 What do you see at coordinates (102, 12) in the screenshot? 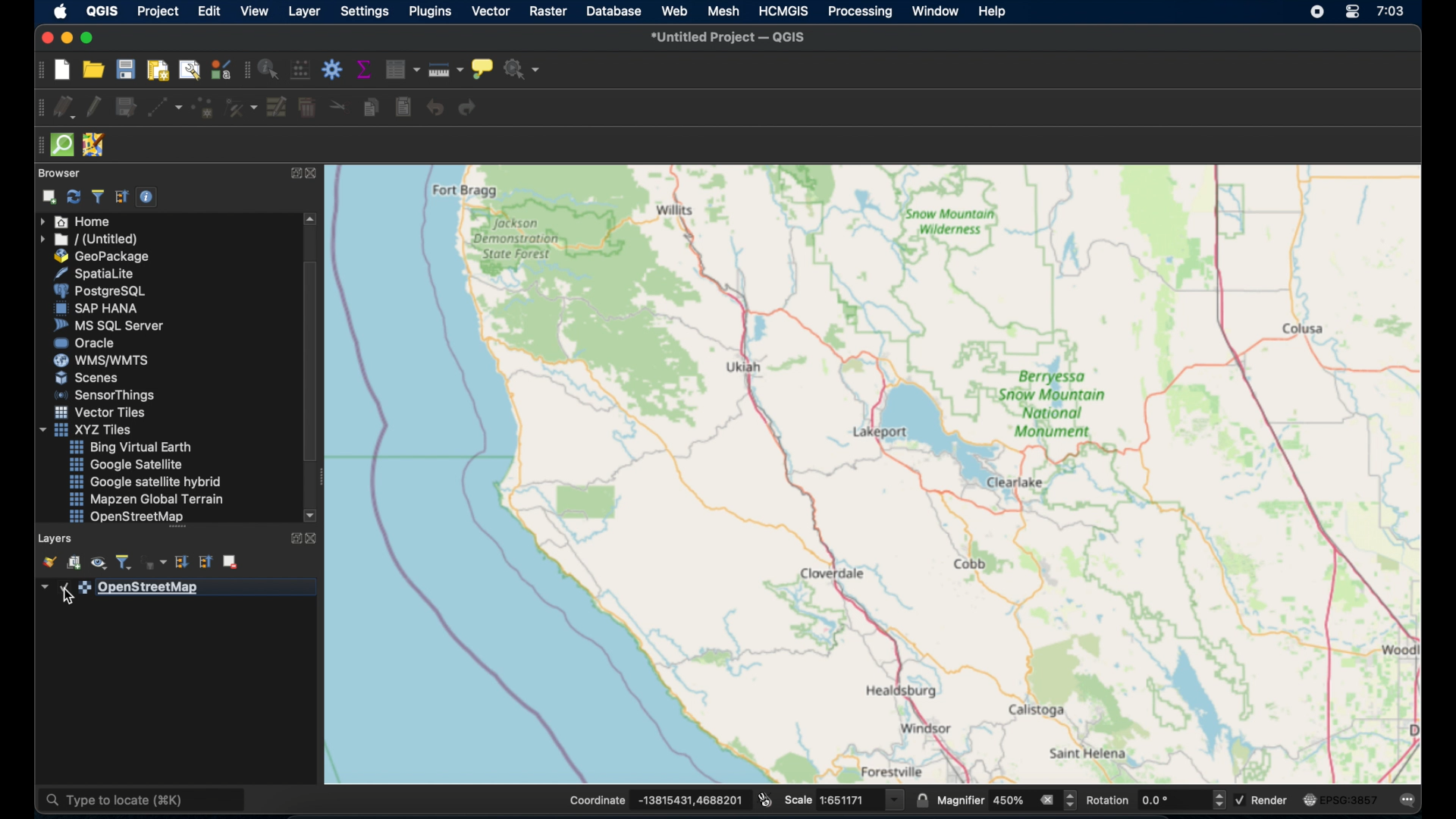
I see `QGIS` at bounding box center [102, 12].